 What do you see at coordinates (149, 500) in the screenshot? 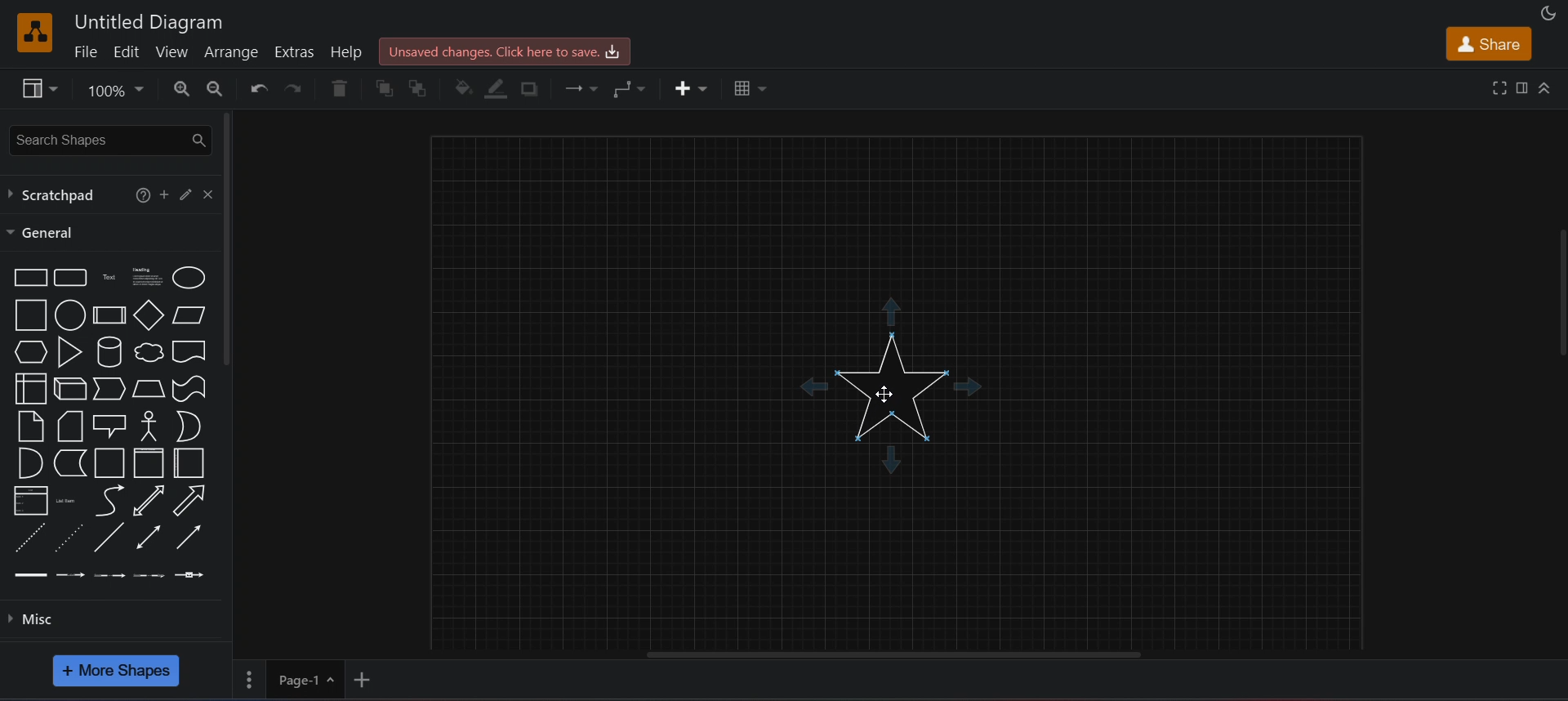
I see `directional arrow` at bounding box center [149, 500].